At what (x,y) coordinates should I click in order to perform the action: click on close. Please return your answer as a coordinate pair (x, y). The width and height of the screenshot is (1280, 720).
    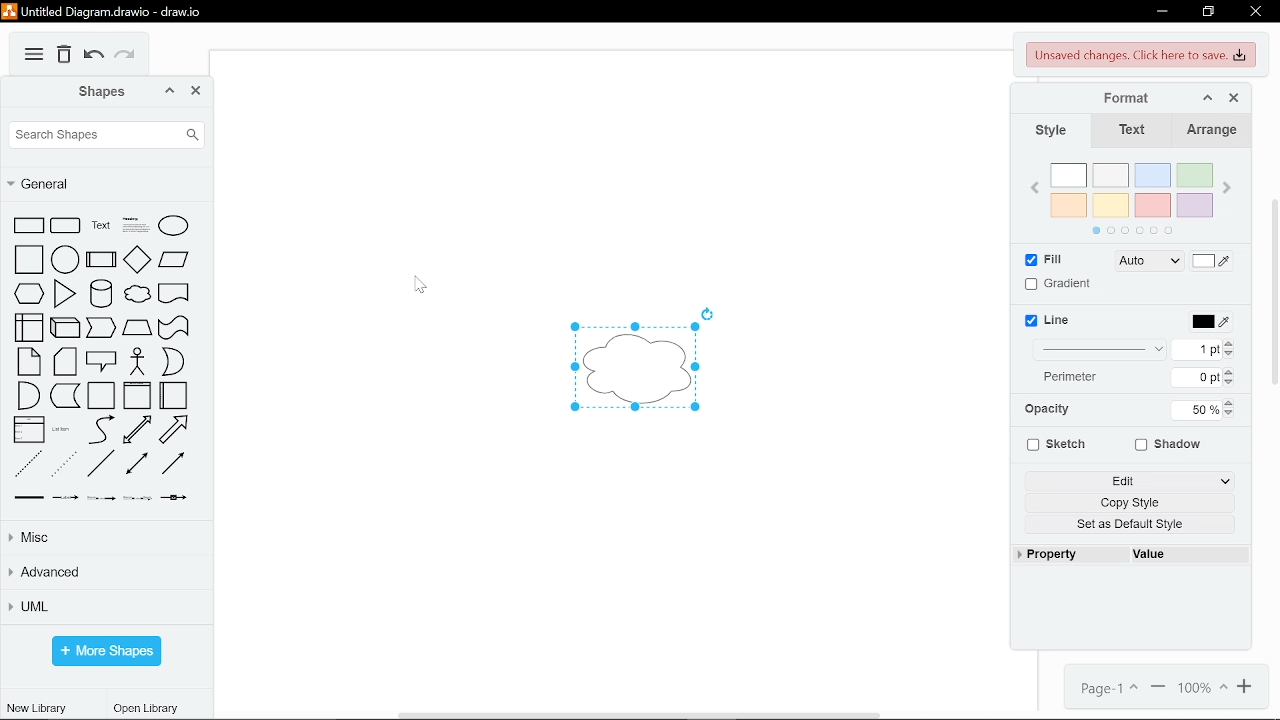
    Looking at the image, I should click on (1257, 12).